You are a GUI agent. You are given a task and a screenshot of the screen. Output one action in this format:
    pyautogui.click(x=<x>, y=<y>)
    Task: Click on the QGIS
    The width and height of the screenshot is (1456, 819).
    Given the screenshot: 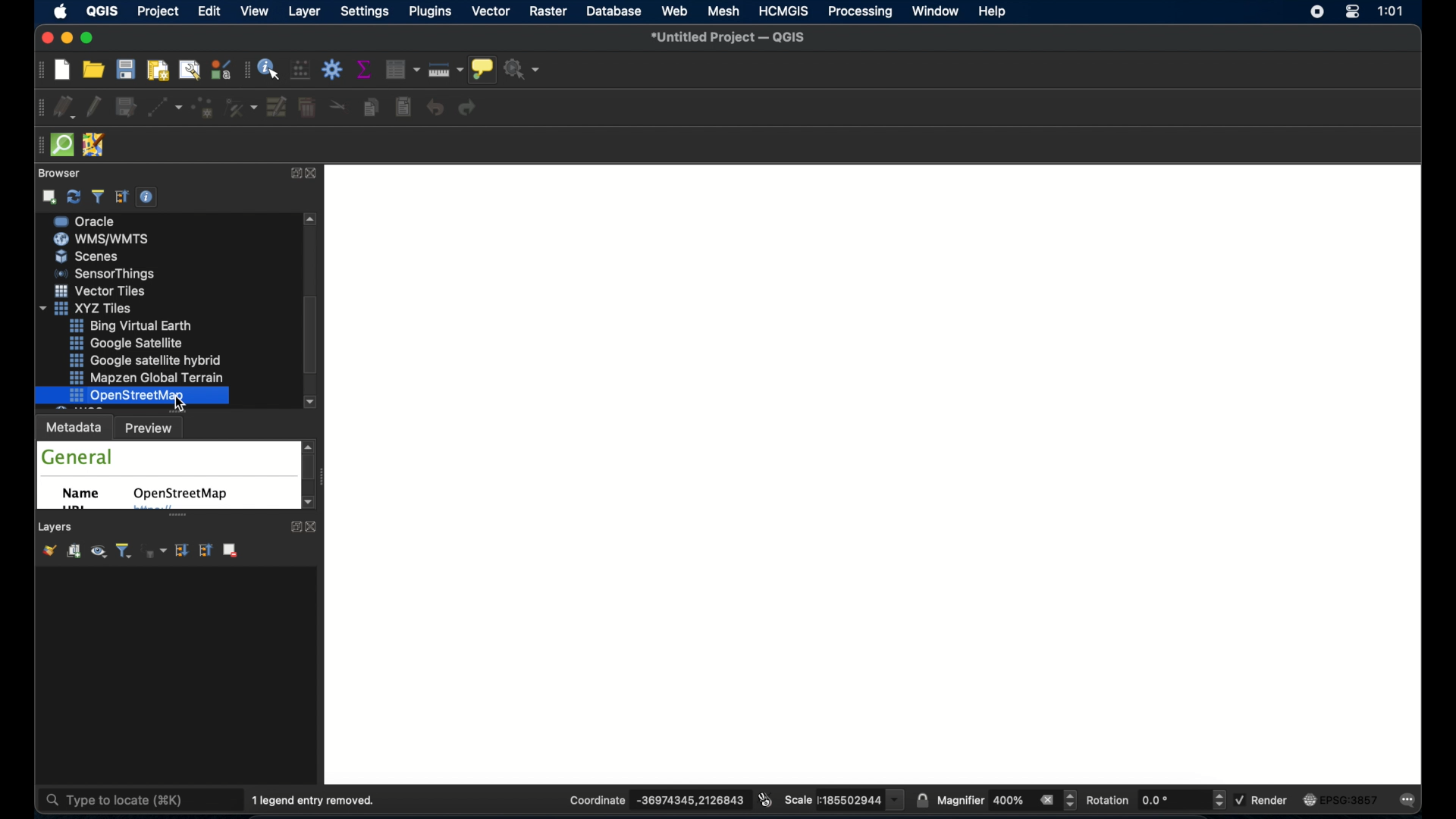 What is the action you would take?
    pyautogui.click(x=102, y=11)
    